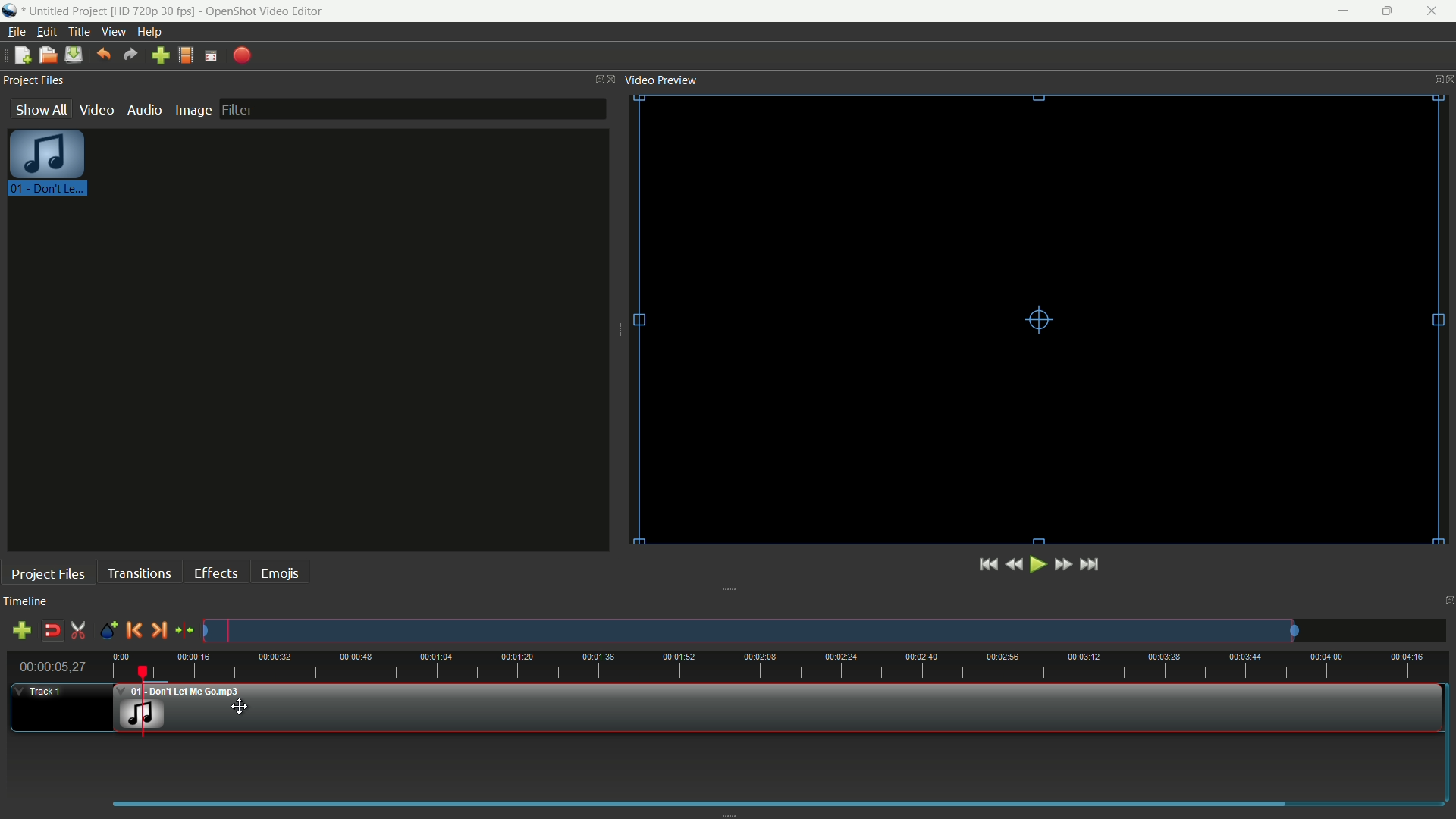  Describe the element at coordinates (595, 78) in the screenshot. I see `change layout` at that location.